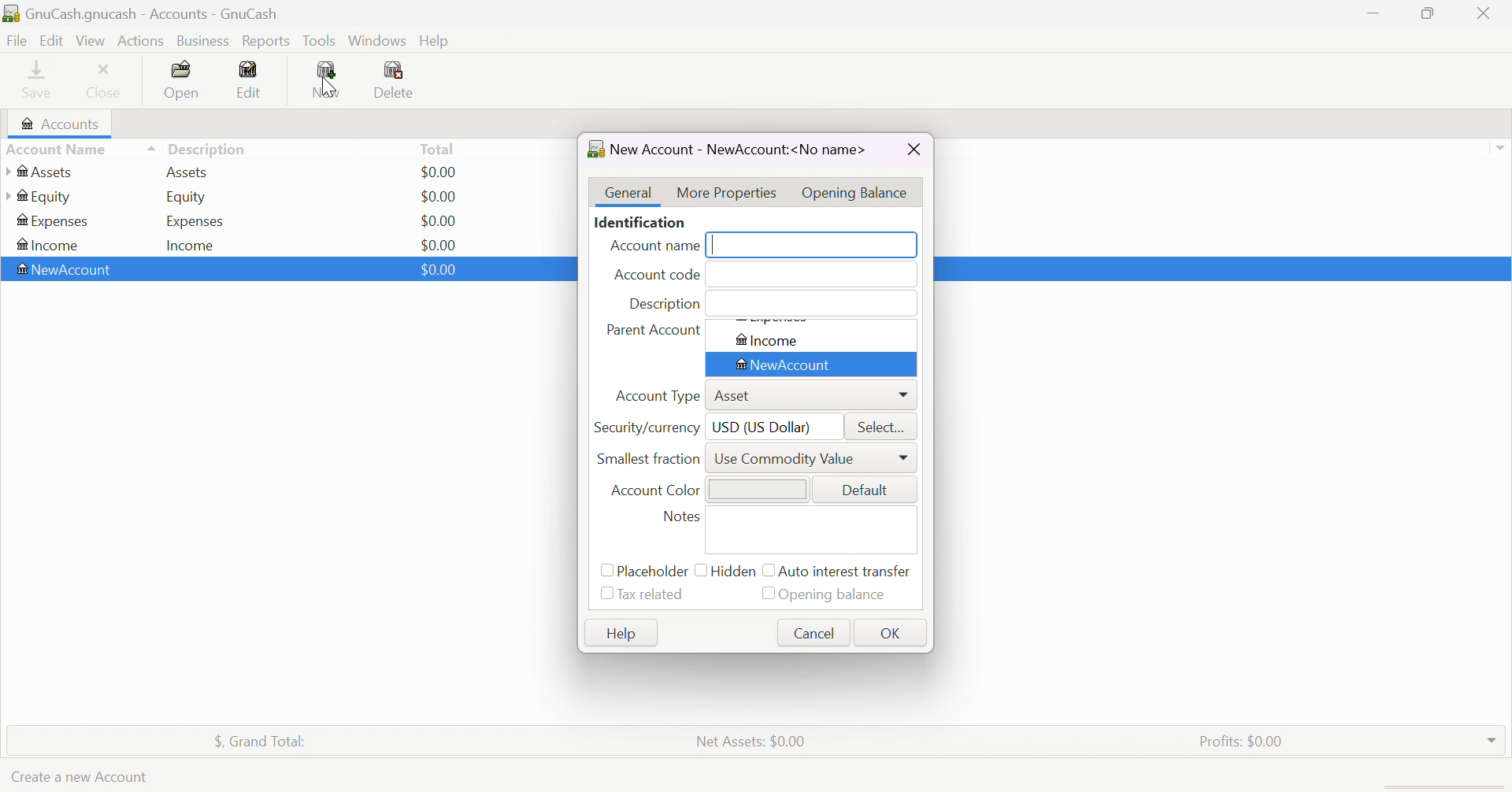 This screenshot has width=1512, height=792. I want to click on Actions, so click(140, 41).